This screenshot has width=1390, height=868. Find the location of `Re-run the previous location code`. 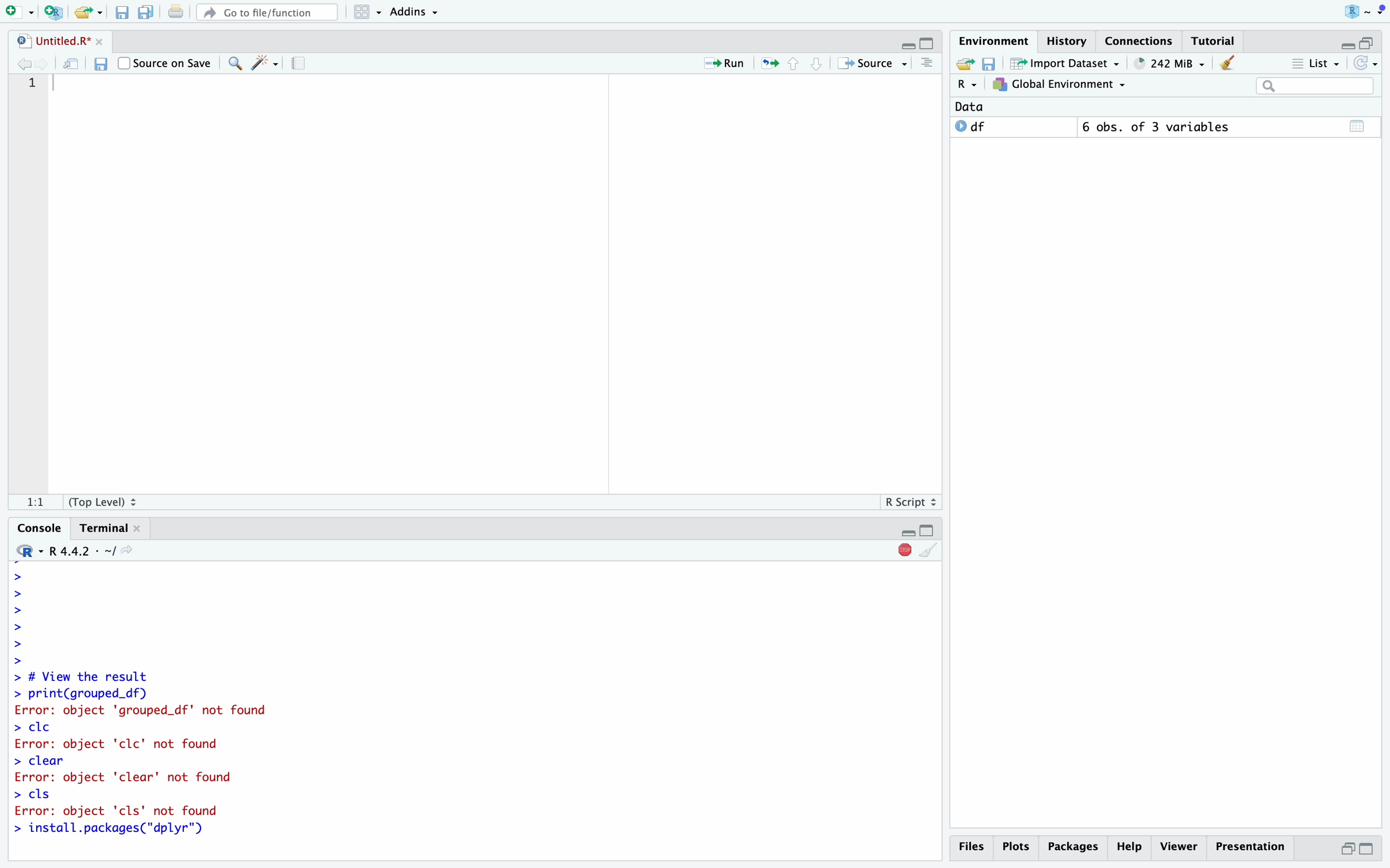

Re-run the previous location code is located at coordinates (769, 63).